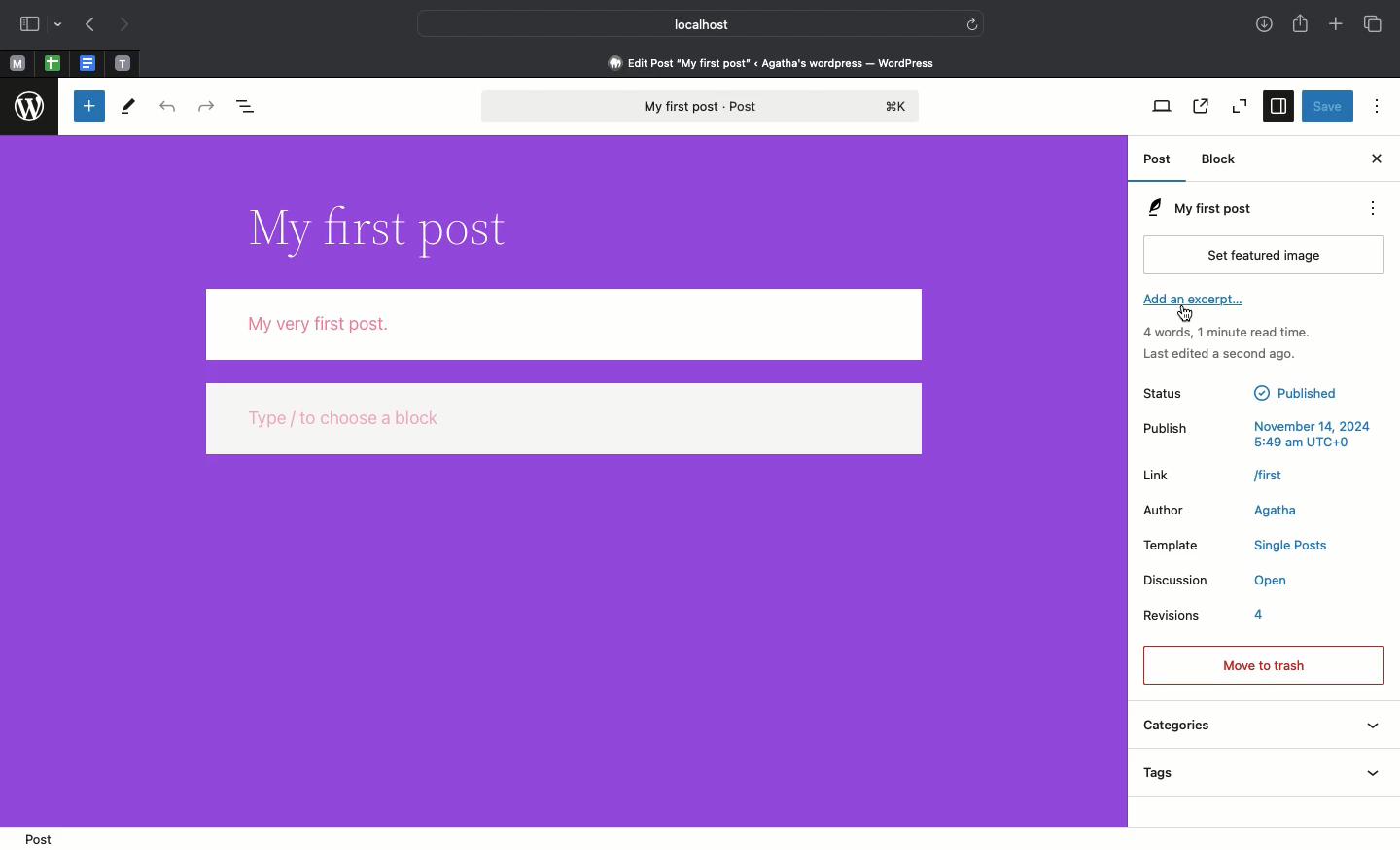 The width and height of the screenshot is (1400, 850). I want to click on Save, so click(1327, 107).